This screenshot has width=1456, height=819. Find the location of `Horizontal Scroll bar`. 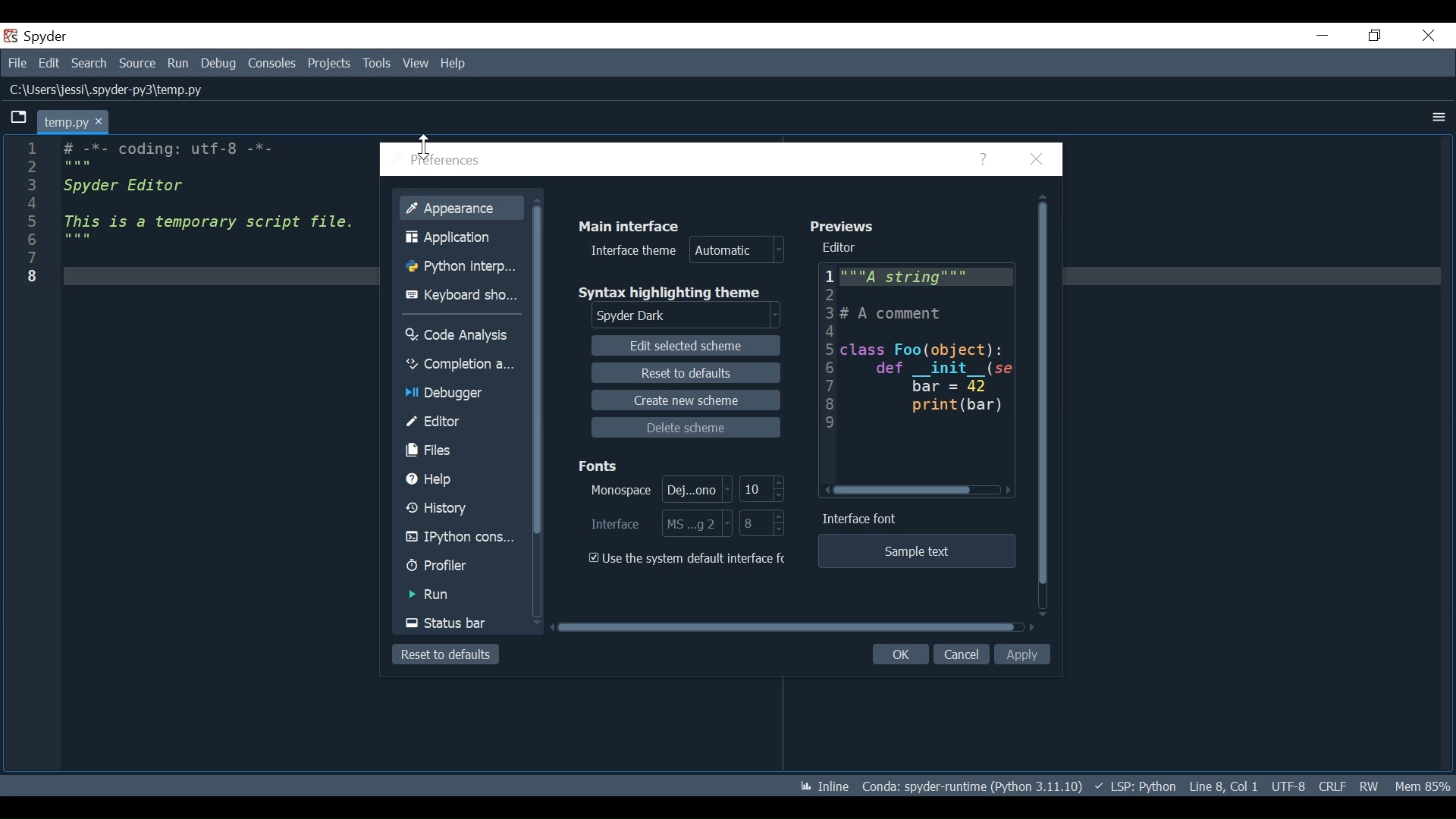

Horizontal Scroll bar is located at coordinates (786, 627).